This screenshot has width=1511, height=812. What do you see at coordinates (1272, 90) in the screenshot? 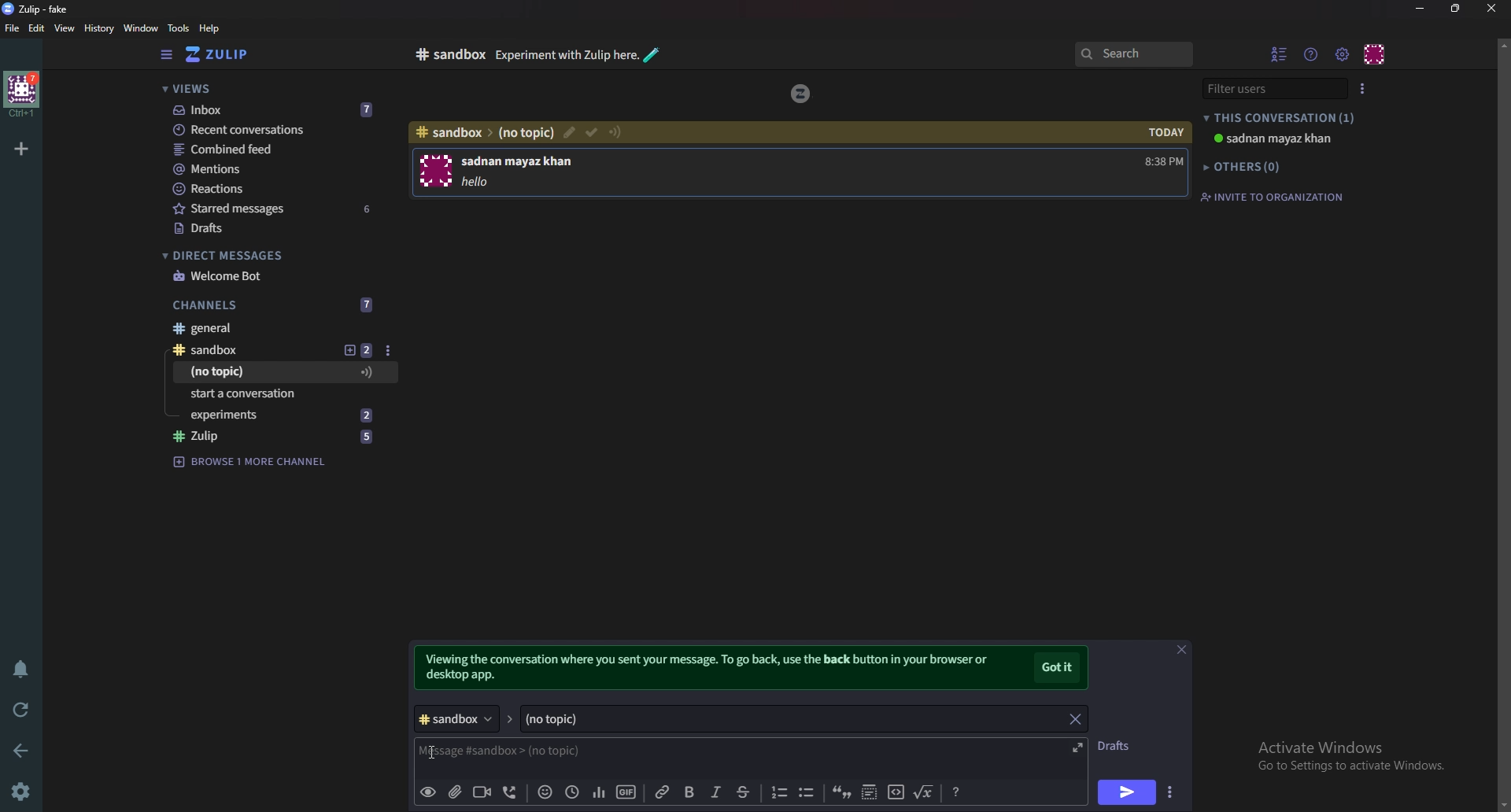
I see `filter users` at bounding box center [1272, 90].